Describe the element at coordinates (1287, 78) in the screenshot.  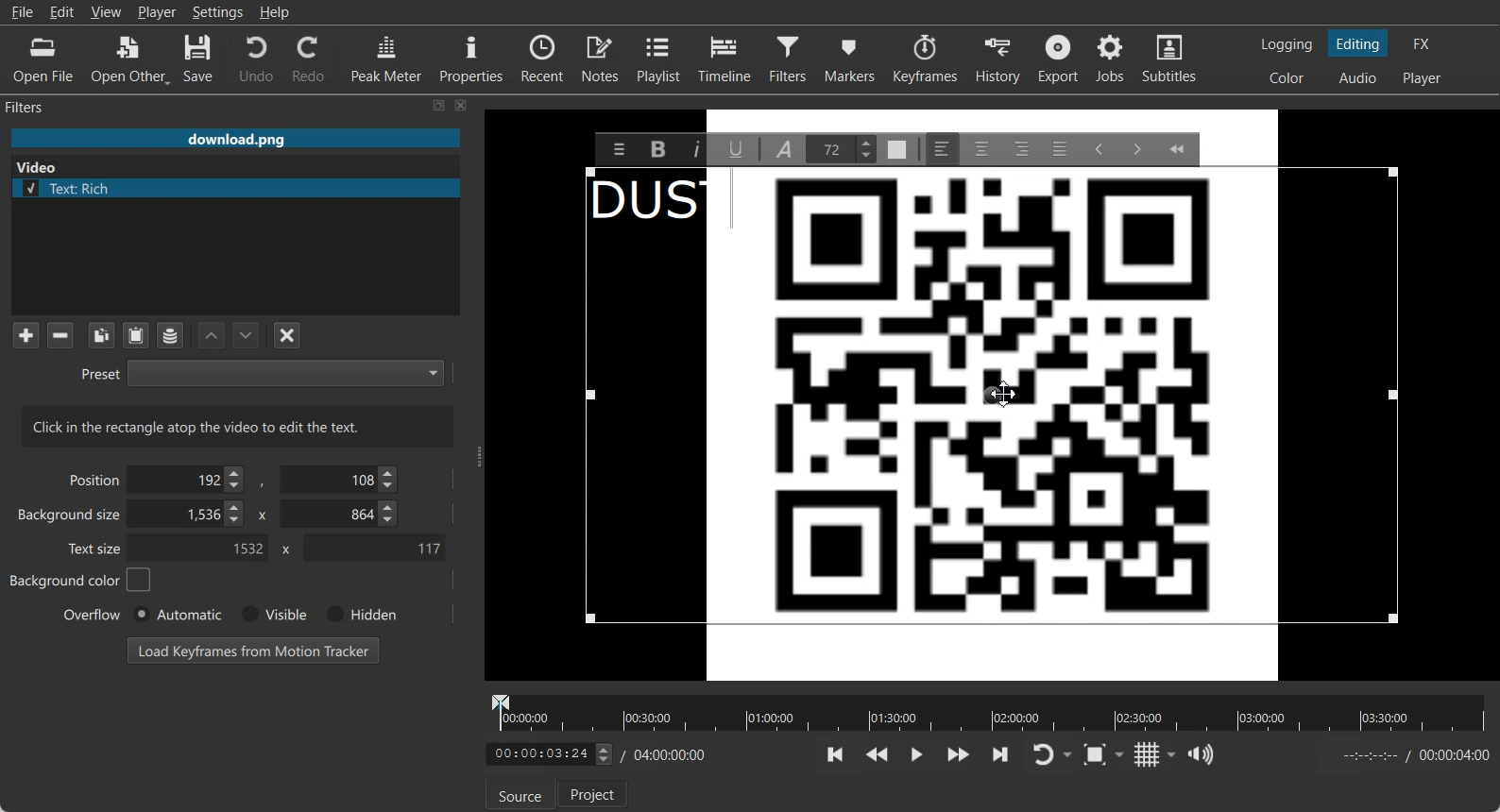
I see `Switching to the Color layout` at that location.